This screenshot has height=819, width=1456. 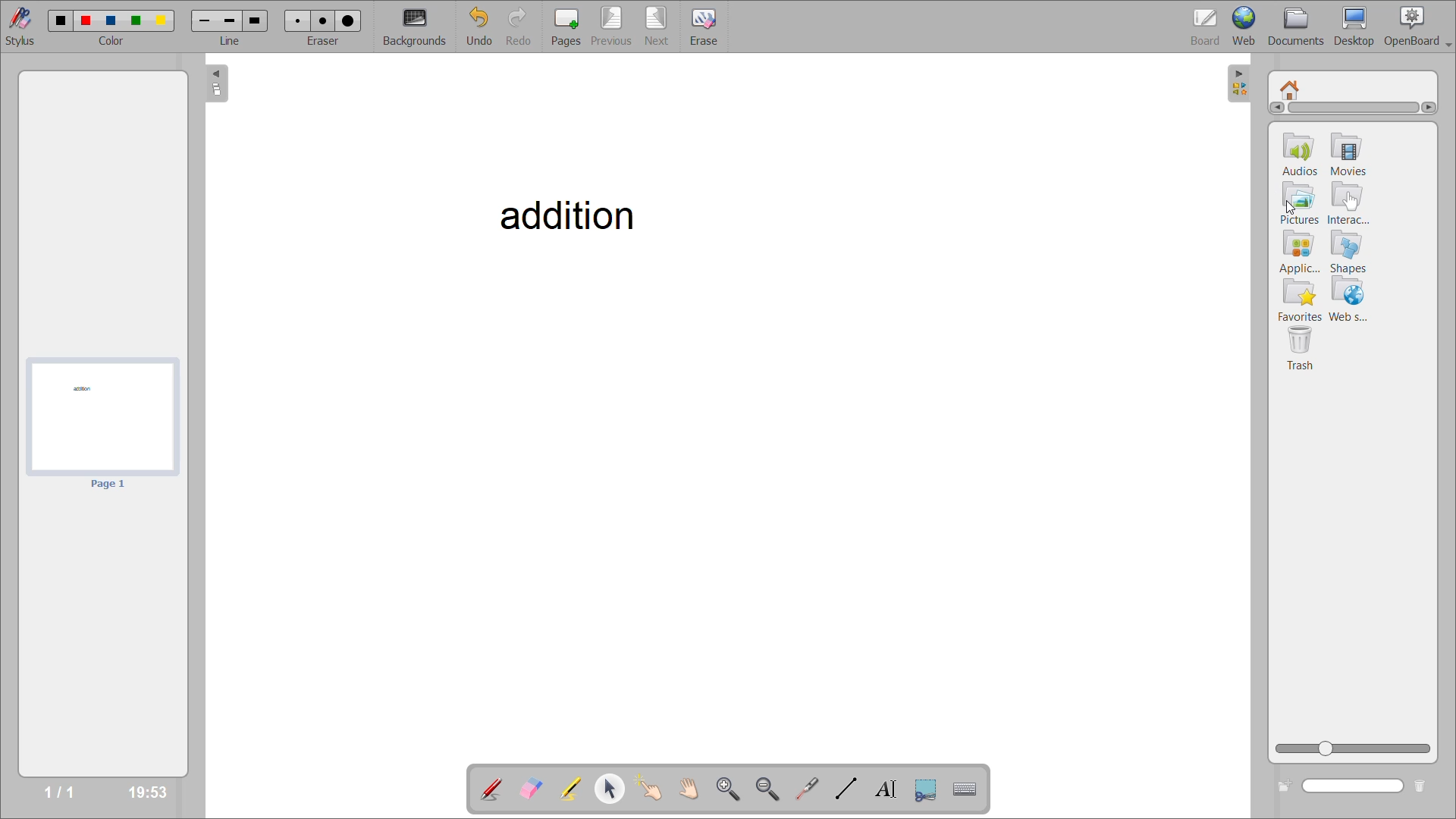 What do you see at coordinates (1288, 89) in the screenshot?
I see `root` at bounding box center [1288, 89].